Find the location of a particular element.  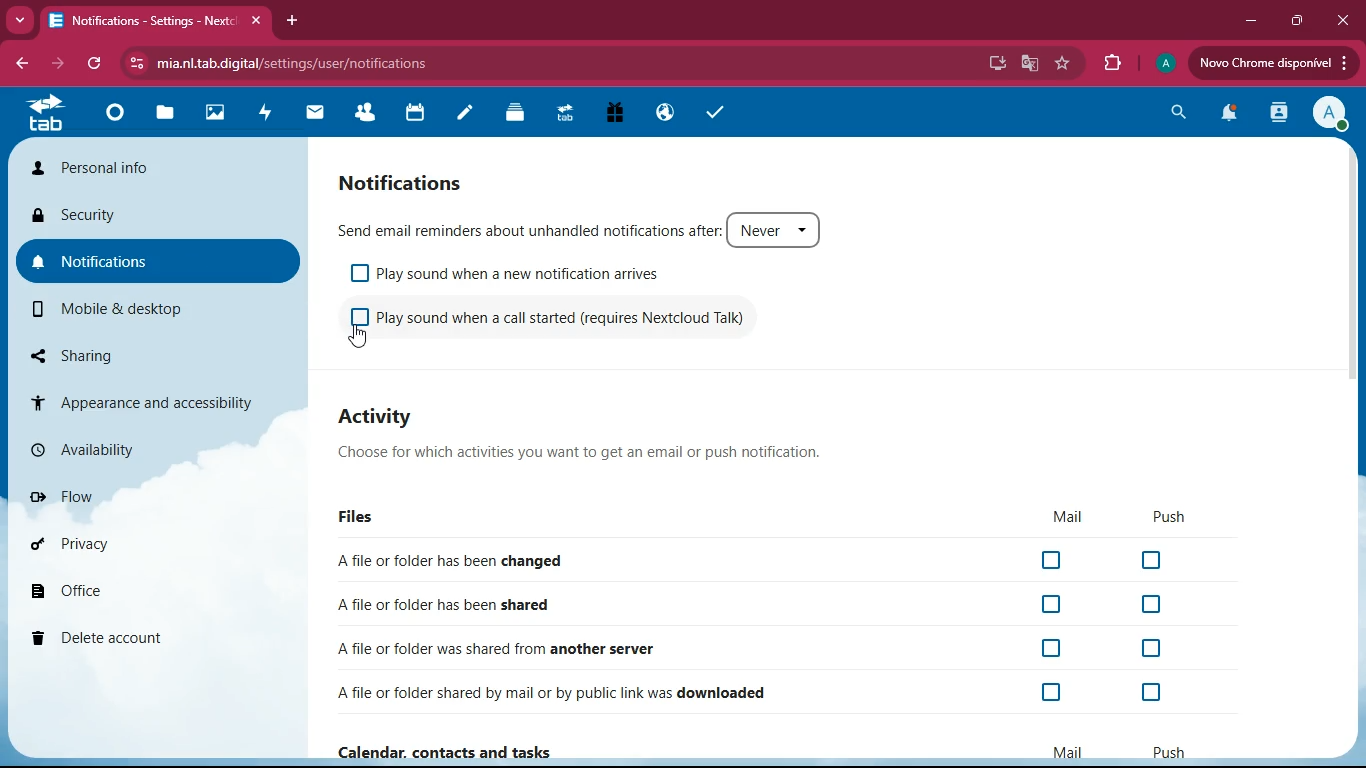

off is located at coordinates (360, 273).